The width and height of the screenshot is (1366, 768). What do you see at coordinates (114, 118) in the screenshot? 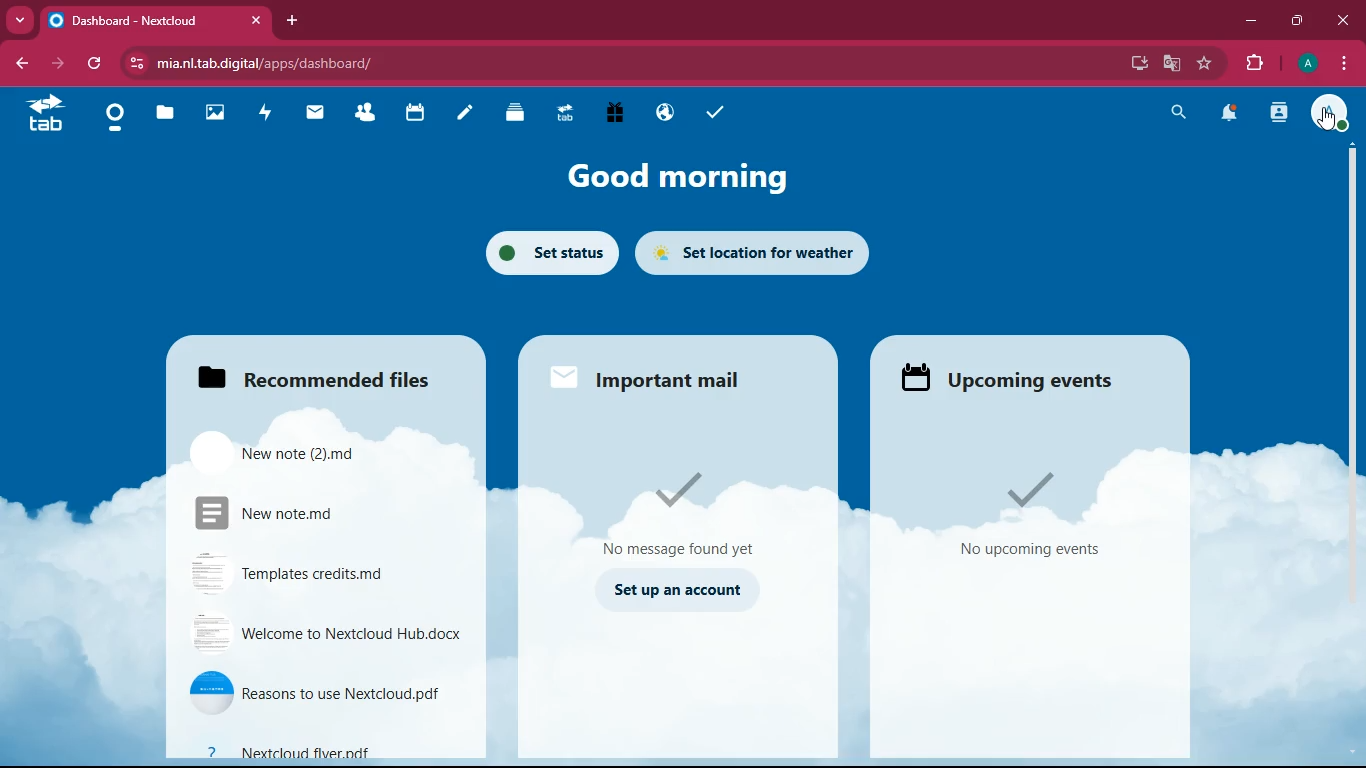
I see `home` at bounding box center [114, 118].